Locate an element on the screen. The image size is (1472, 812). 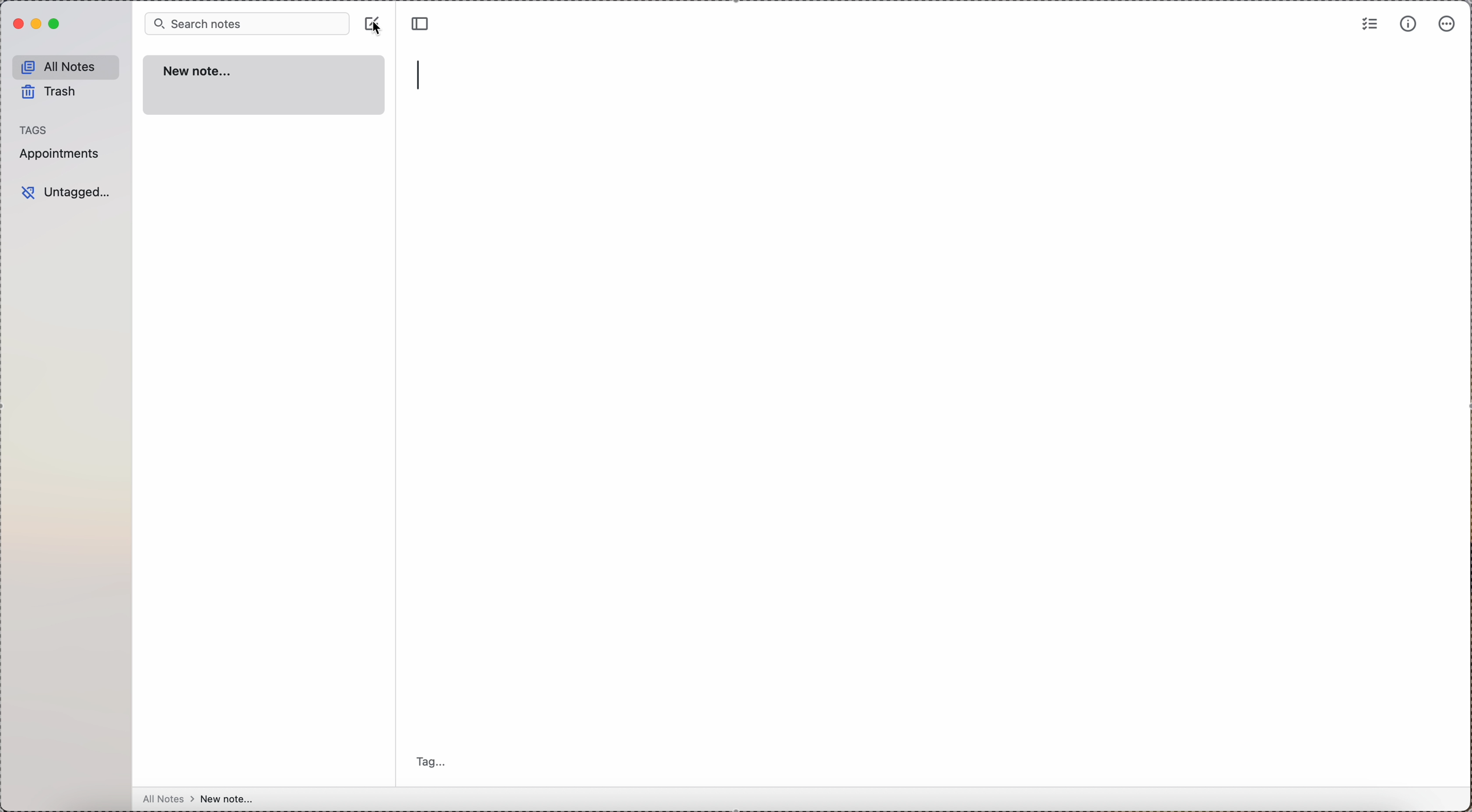
appointments is located at coordinates (59, 154).